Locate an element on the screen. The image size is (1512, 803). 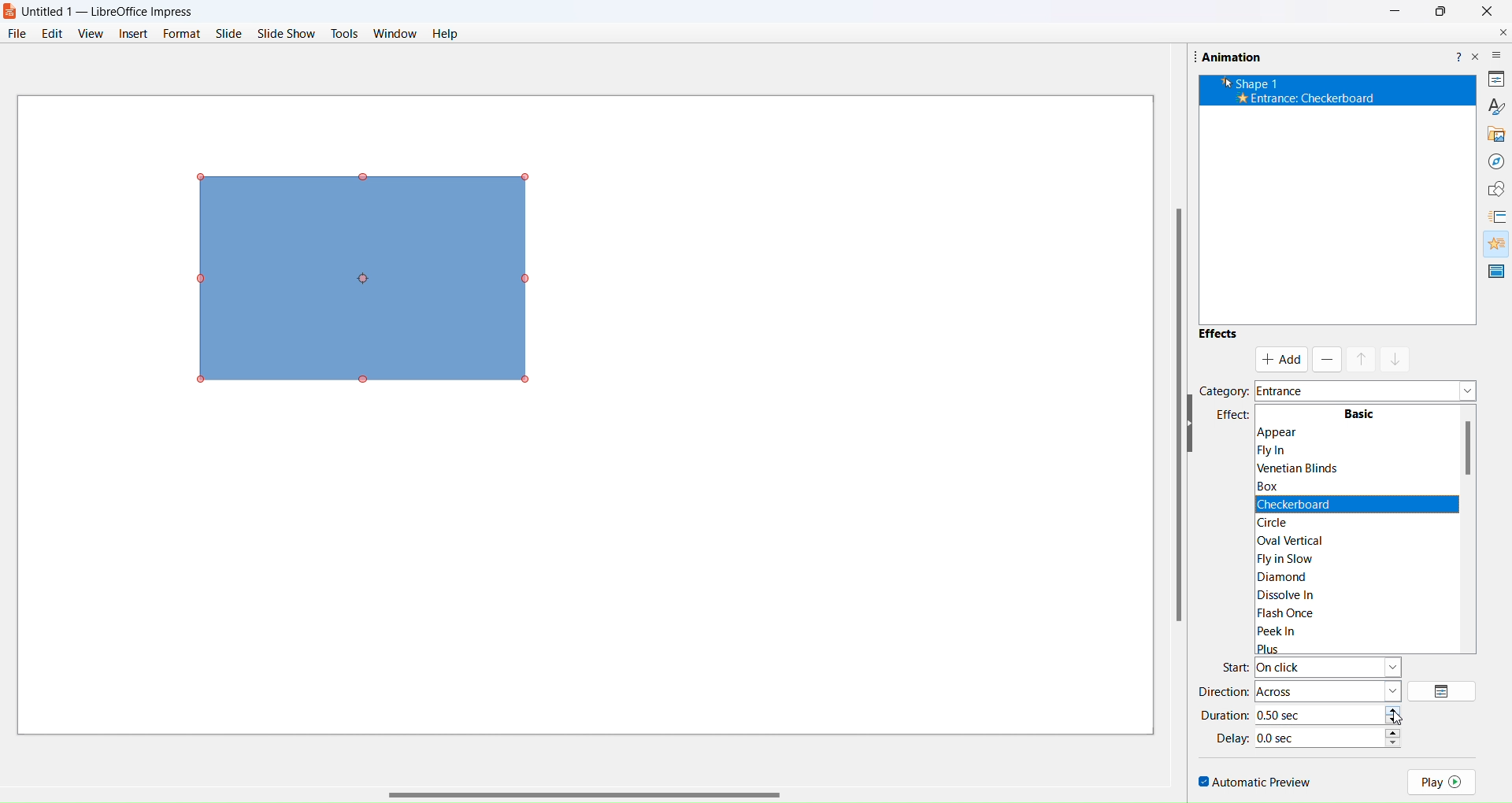
Venetian Blinds is located at coordinates (1303, 468).